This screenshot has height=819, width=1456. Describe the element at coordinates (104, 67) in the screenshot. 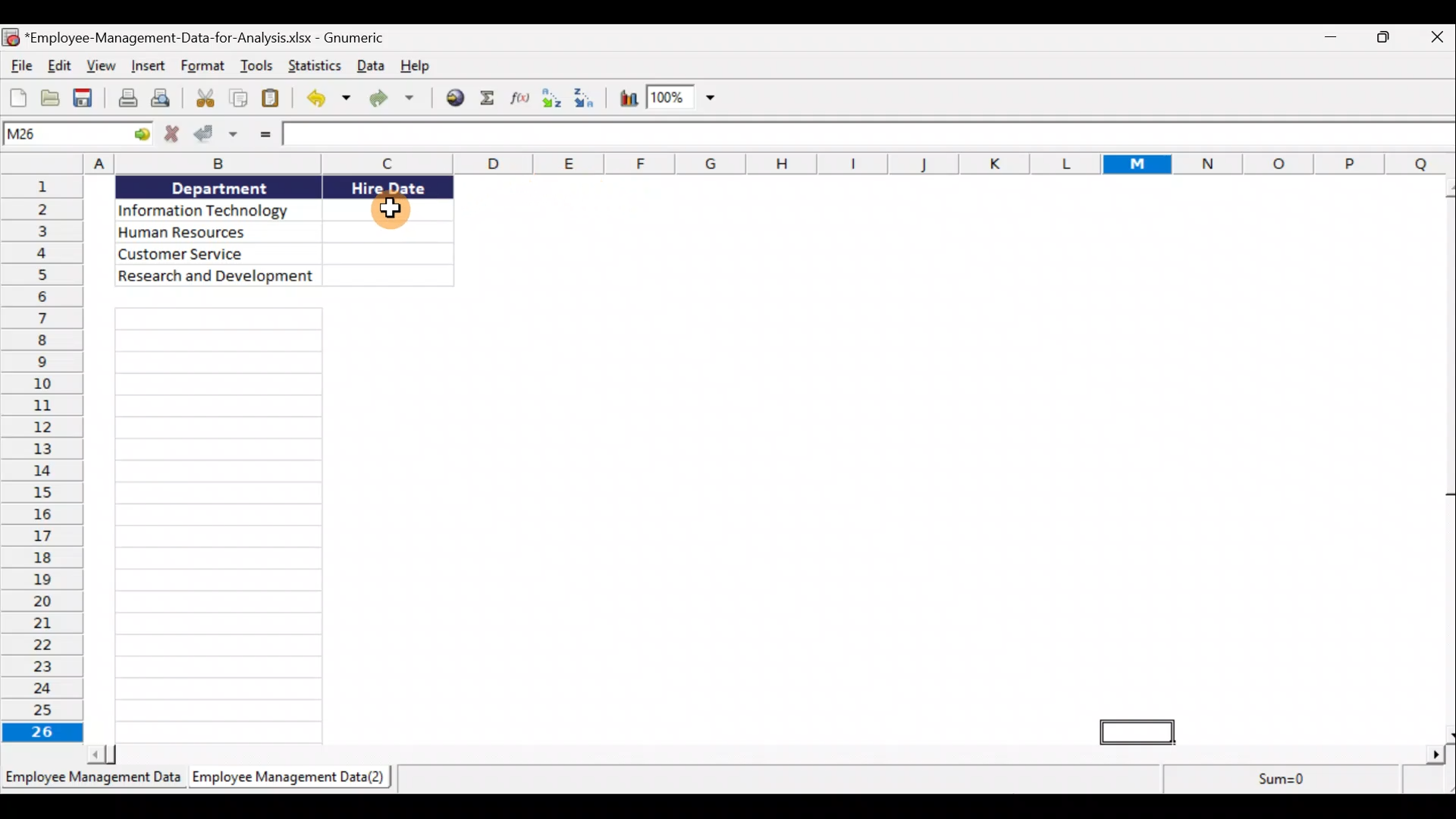

I see `View` at that location.